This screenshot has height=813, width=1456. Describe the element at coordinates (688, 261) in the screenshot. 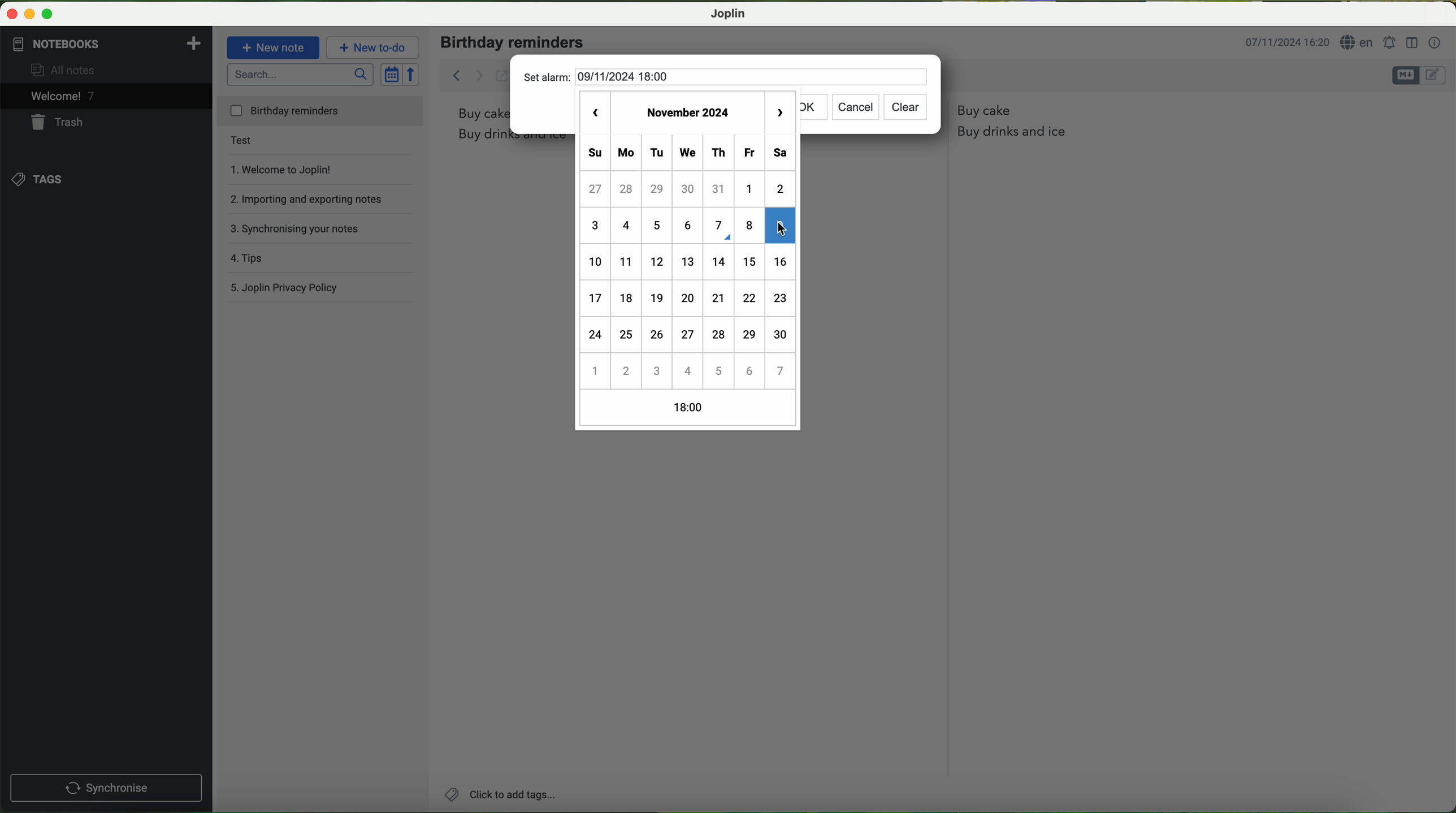

I see `calender` at that location.